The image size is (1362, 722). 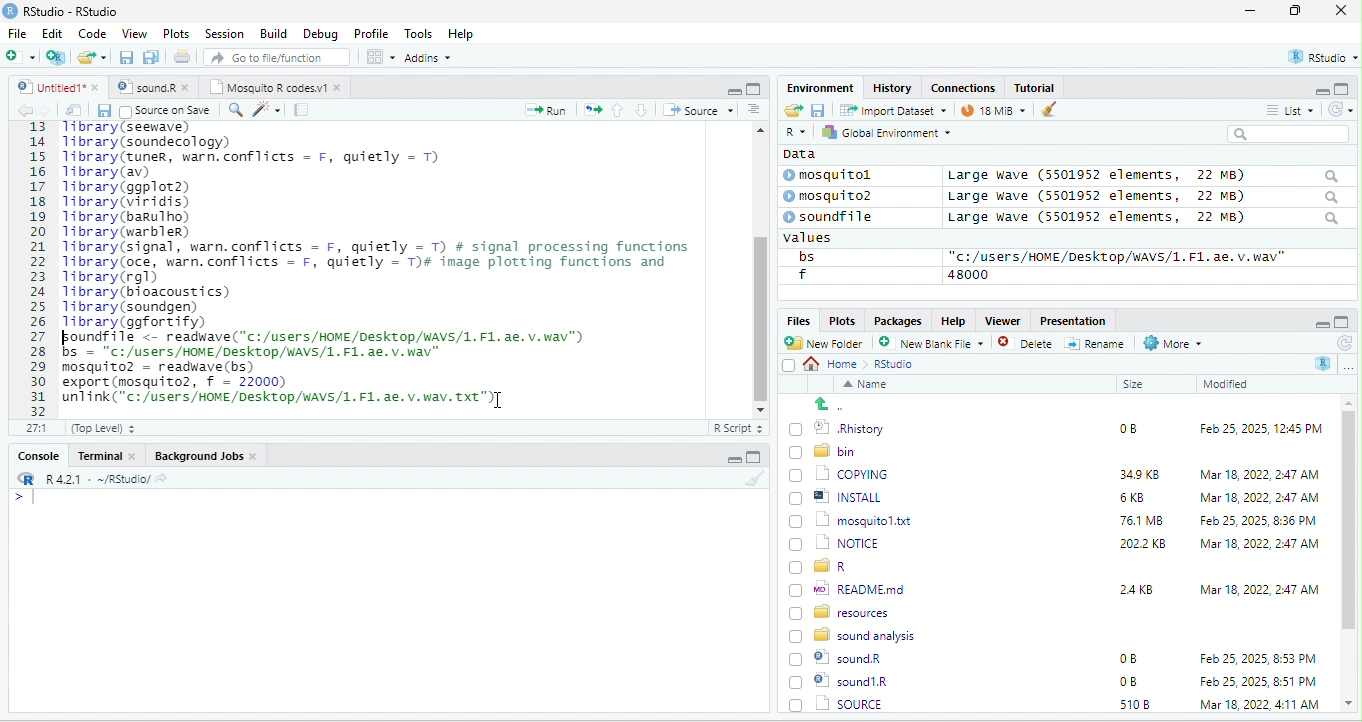 I want to click on Help, so click(x=462, y=35).